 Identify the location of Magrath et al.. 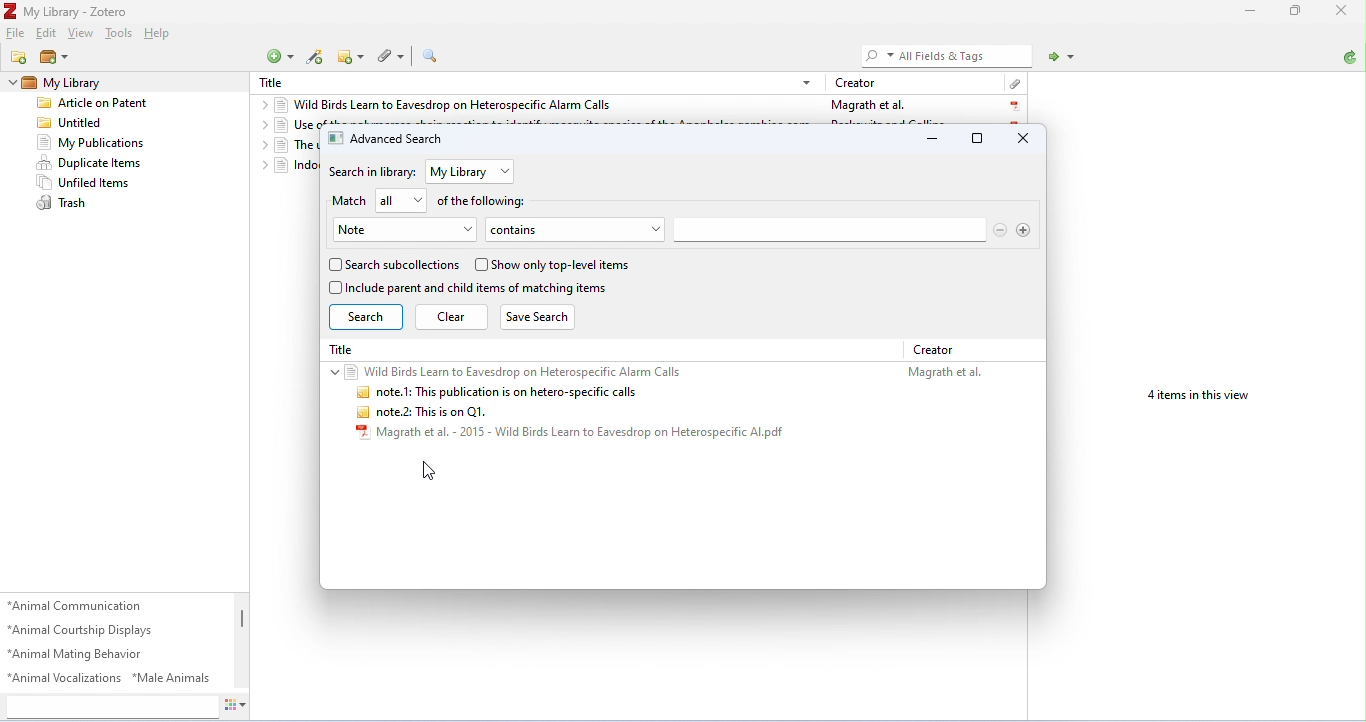
(868, 105).